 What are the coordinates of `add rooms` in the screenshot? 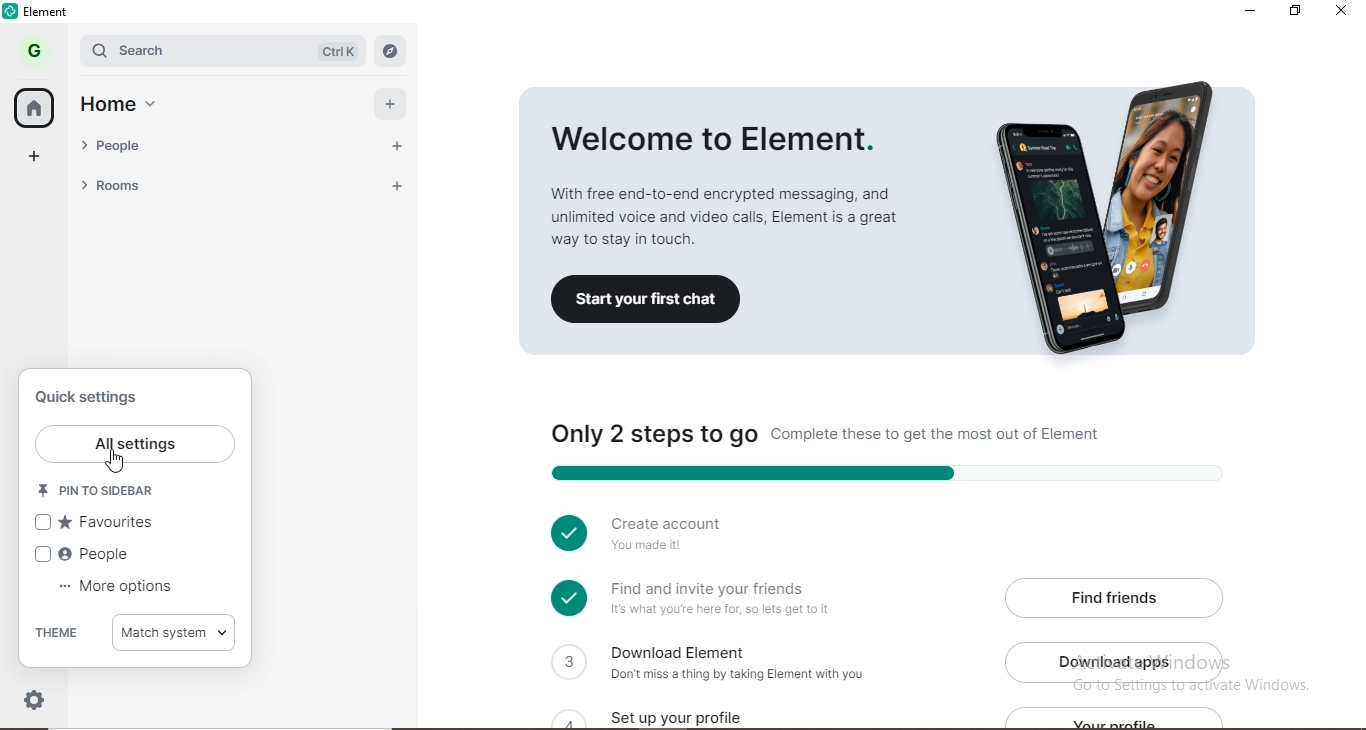 It's located at (391, 185).